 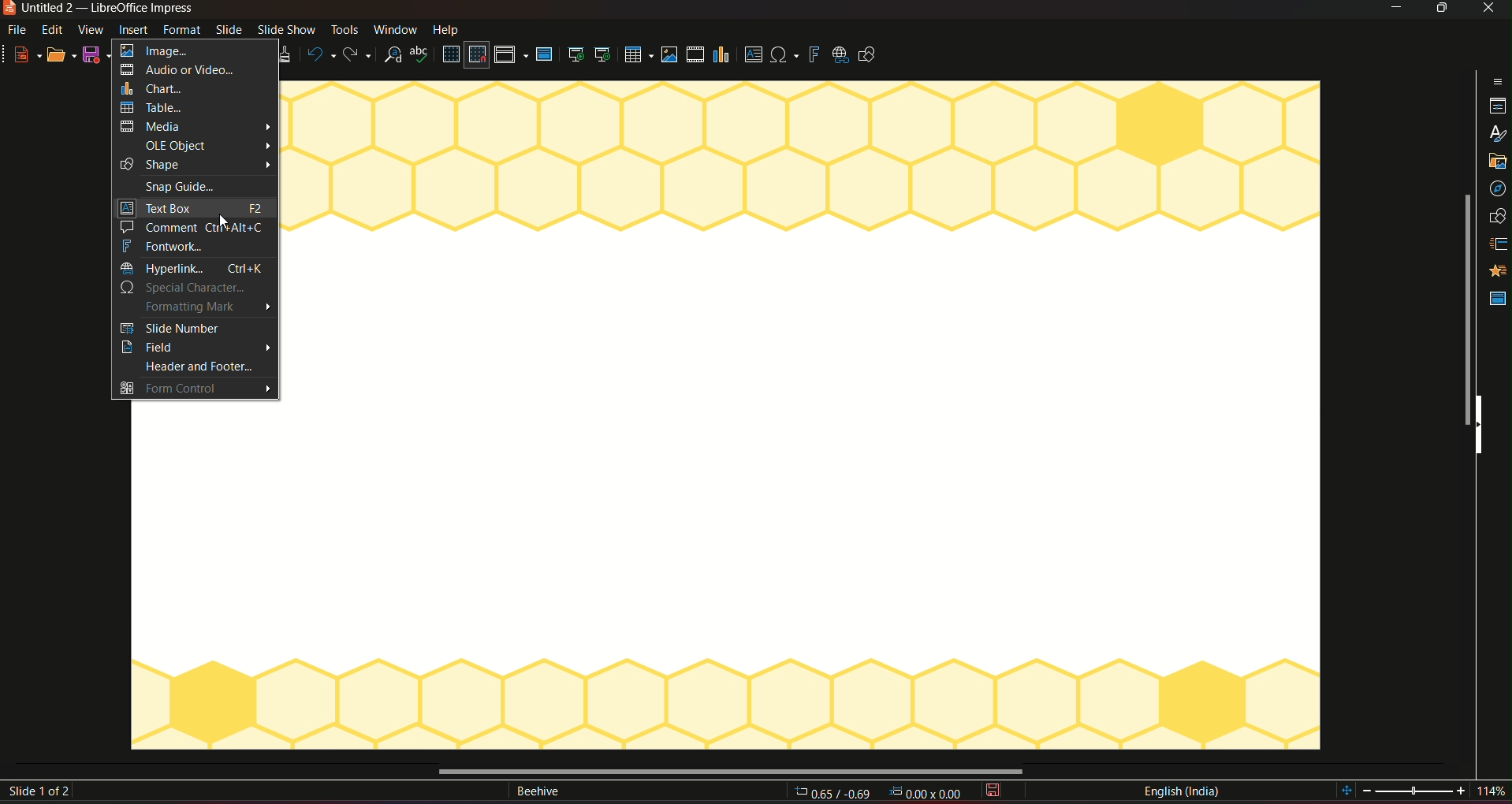 What do you see at coordinates (1463, 311) in the screenshot?
I see `vertical scrollbar` at bounding box center [1463, 311].